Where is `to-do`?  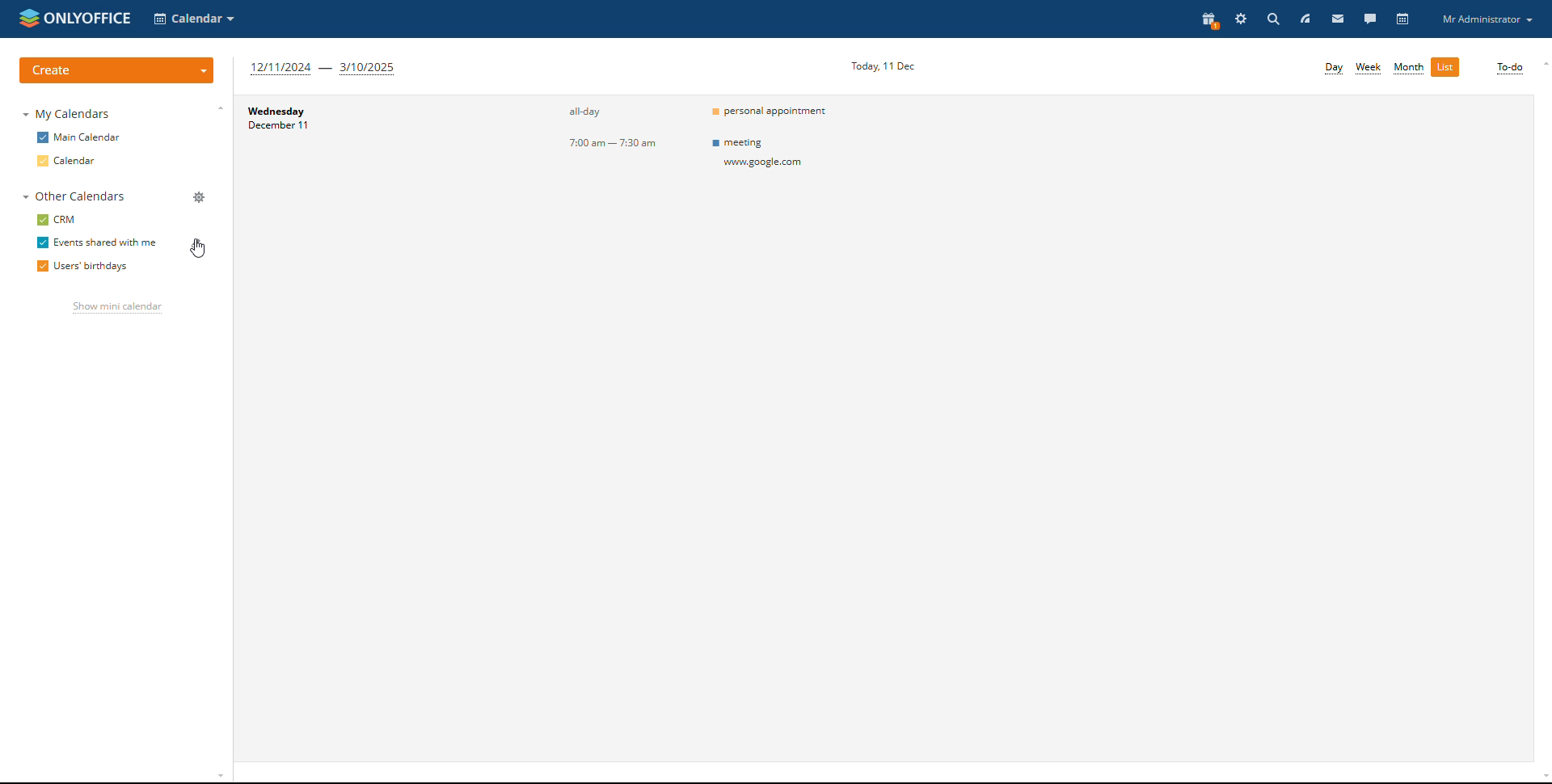
to-do is located at coordinates (1508, 68).